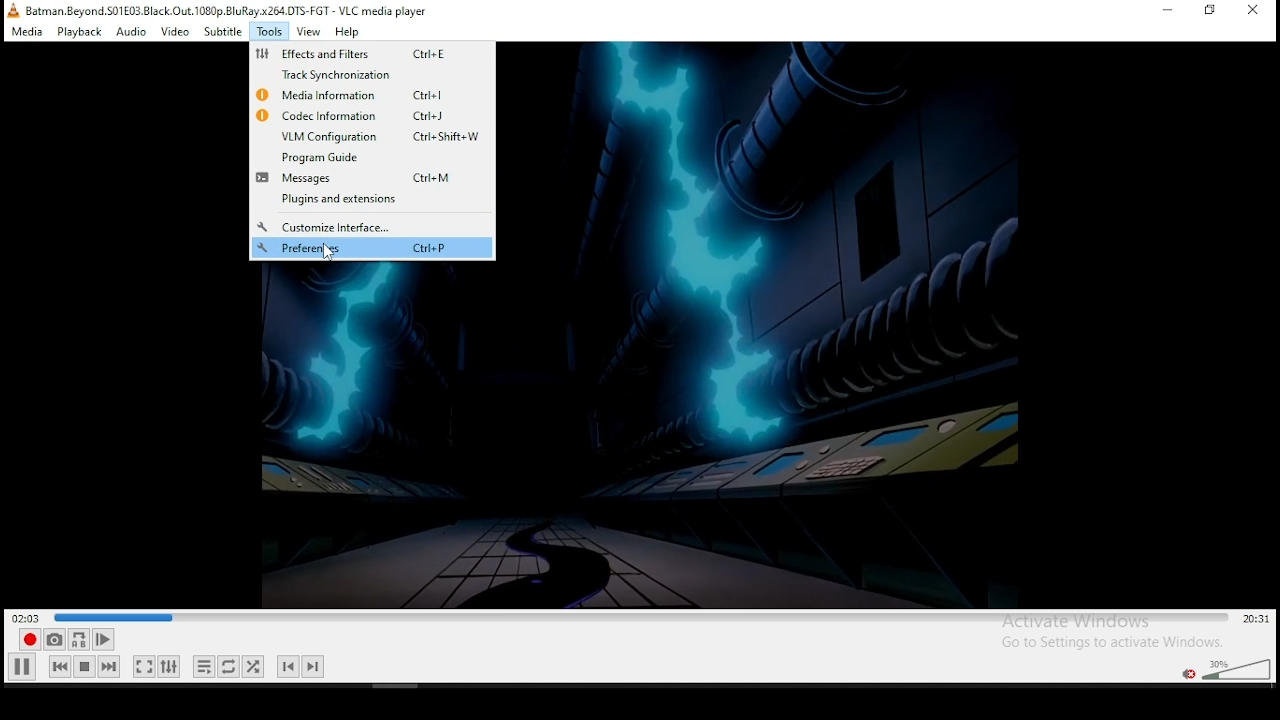 Image resolution: width=1280 pixels, height=720 pixels. Describe the element at coordinates (370, 179) in the screenshot. I see `messages` at that location.